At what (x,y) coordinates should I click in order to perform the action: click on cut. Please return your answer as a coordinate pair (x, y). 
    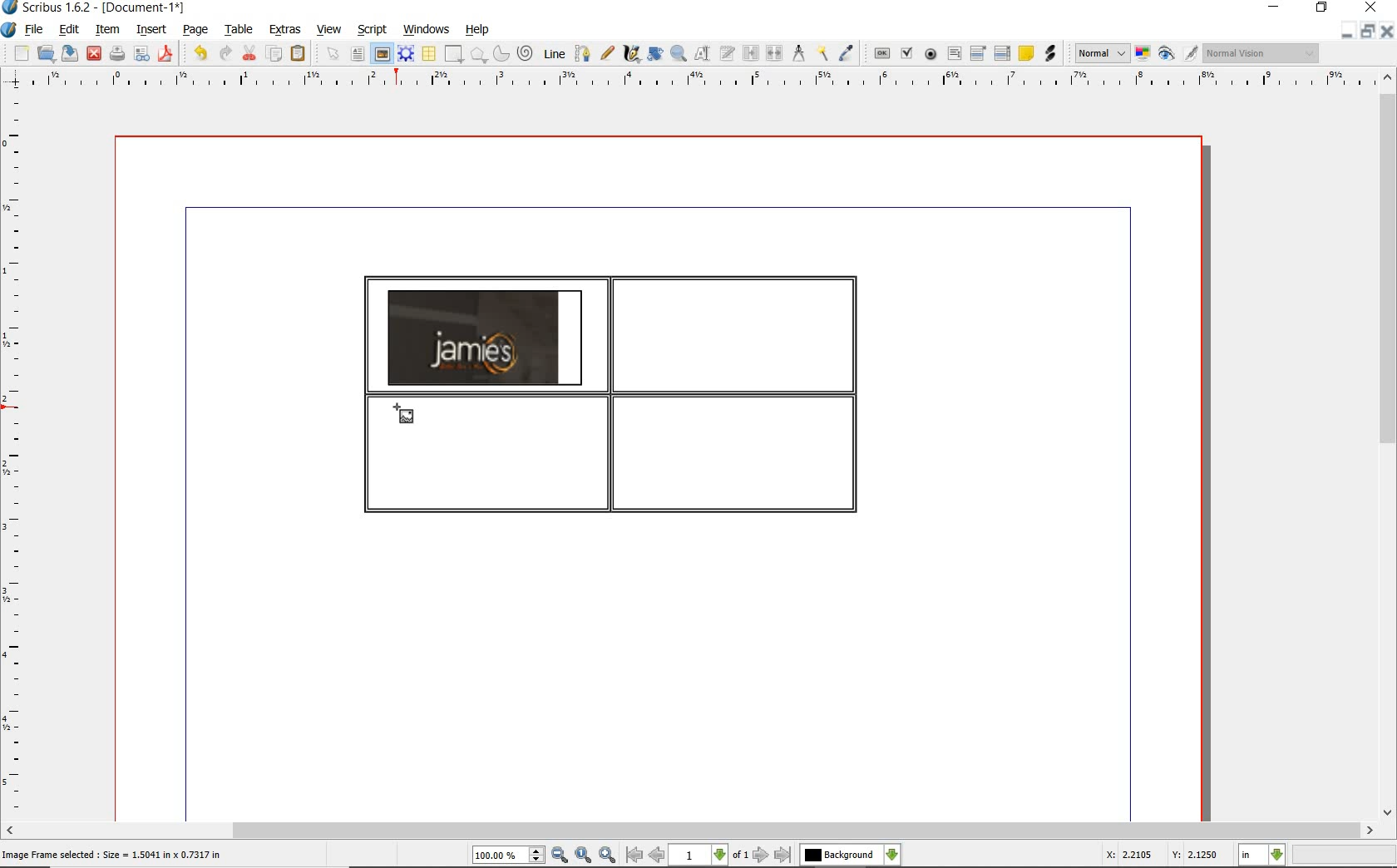
    Looking at the image, I should click on (251, 52).